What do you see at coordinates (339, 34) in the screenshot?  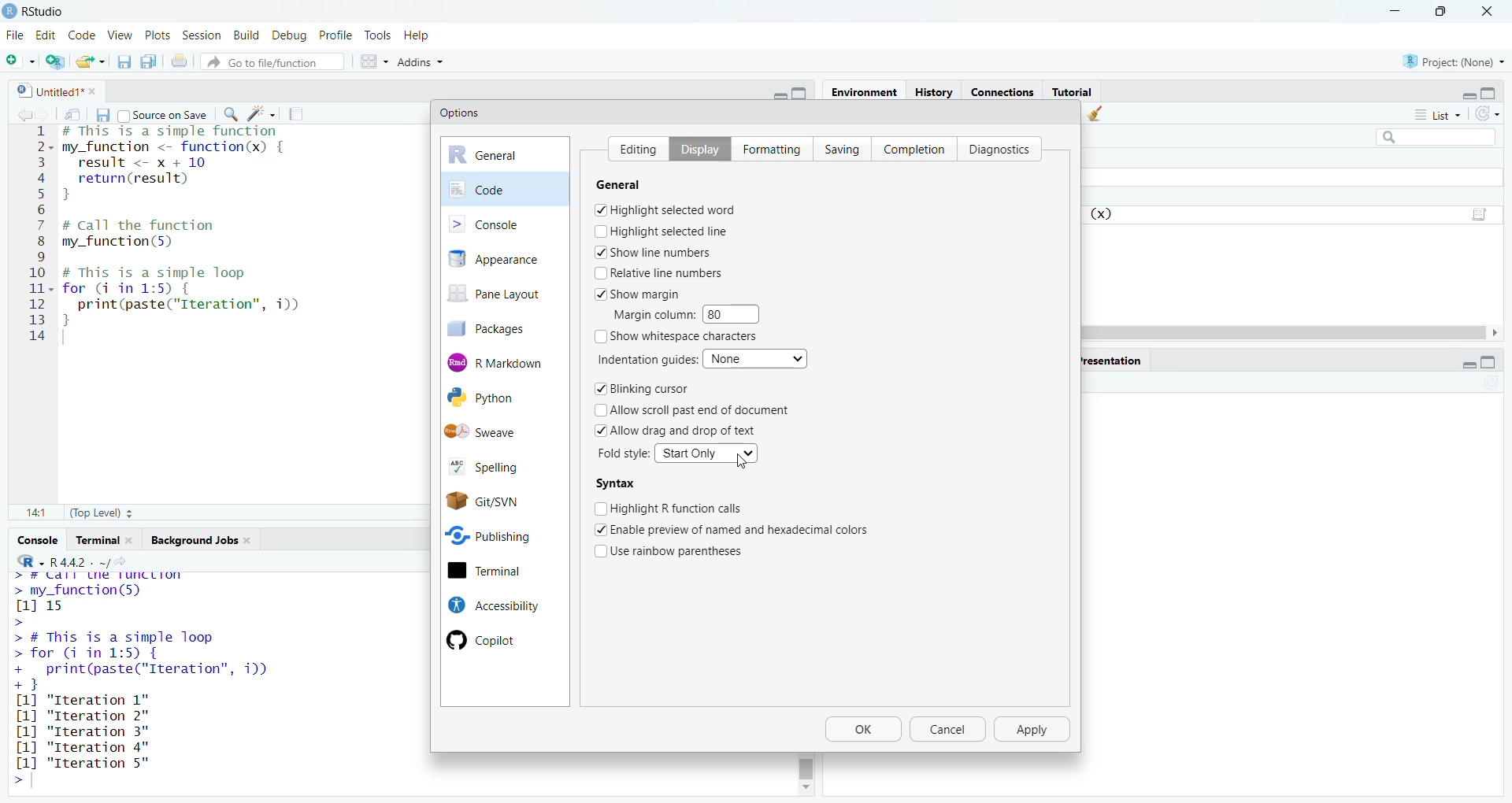 I see `profile` at bounding box center [339, 34].